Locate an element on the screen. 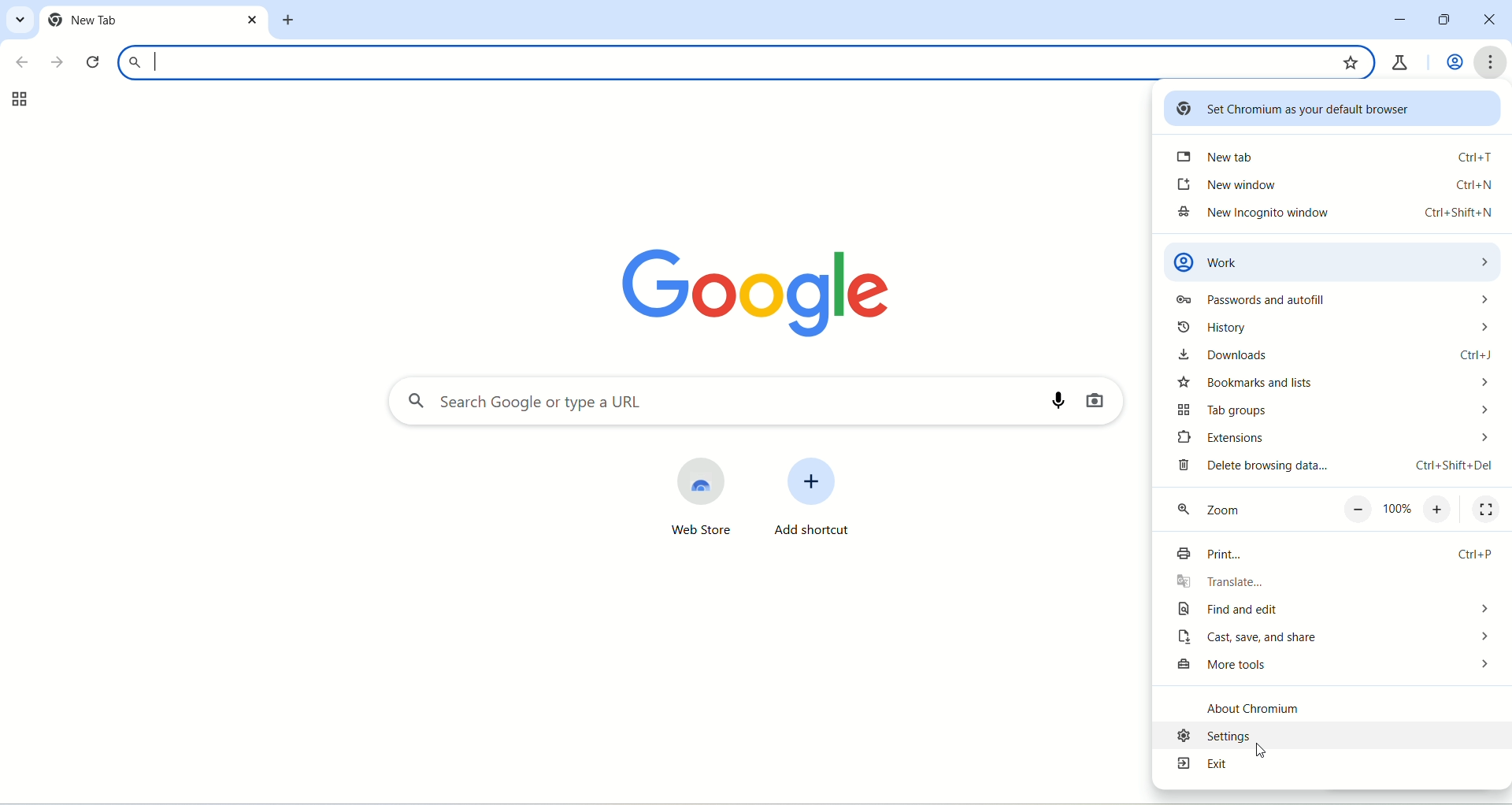 Image resolution: width=1512 pixels, height=805 pixels. cursor is located at coordinates (1261, 749).